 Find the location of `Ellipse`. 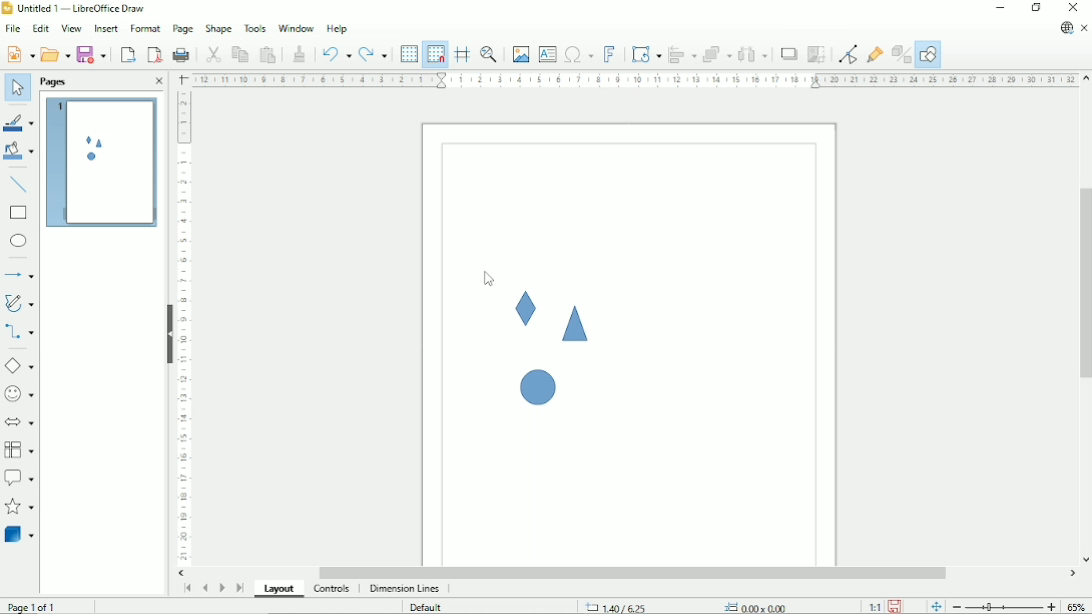

Ellipse is located at coordinates (18, 242).